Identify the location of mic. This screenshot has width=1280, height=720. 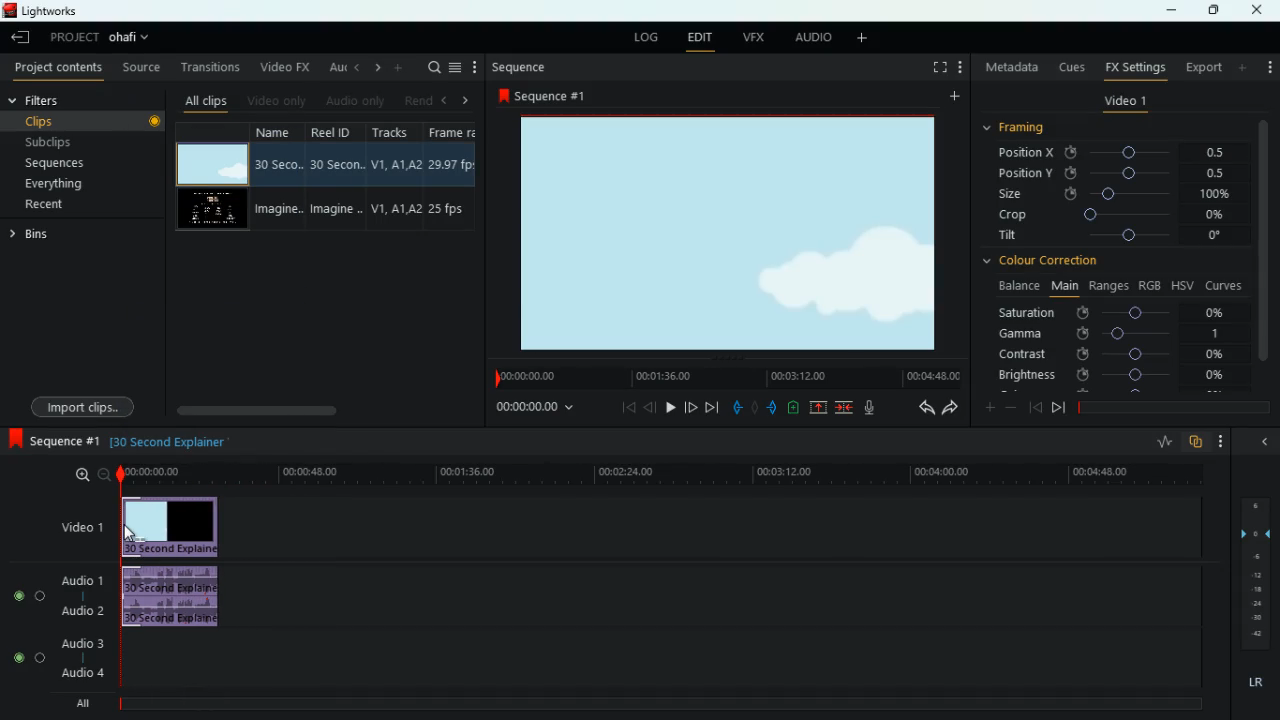
(868, 409).